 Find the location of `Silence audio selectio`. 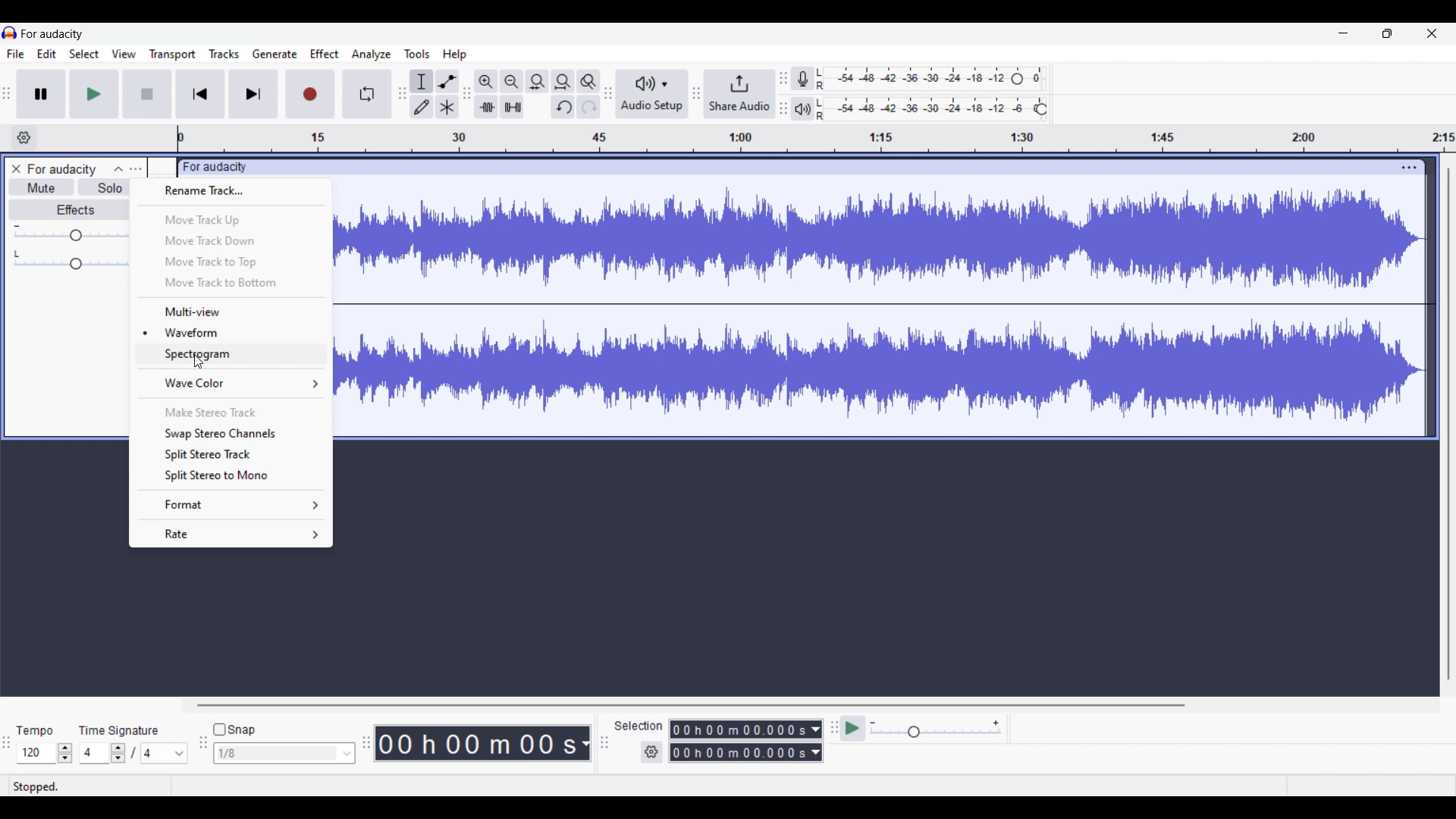

Silence audio selectio is located at coordinates (513, 106).